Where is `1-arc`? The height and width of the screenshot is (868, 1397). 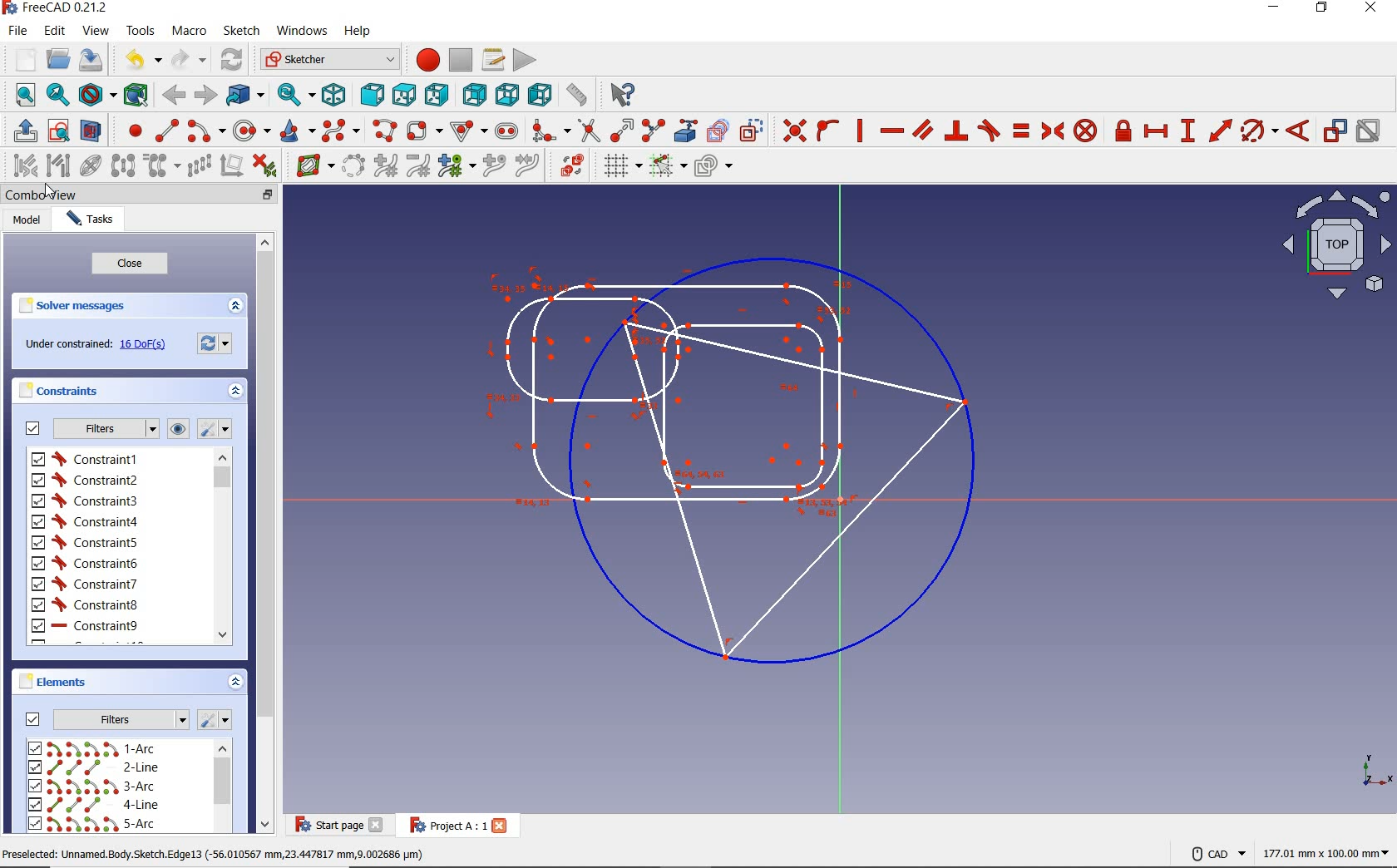
1-arc is located at coordinates (97, 748).